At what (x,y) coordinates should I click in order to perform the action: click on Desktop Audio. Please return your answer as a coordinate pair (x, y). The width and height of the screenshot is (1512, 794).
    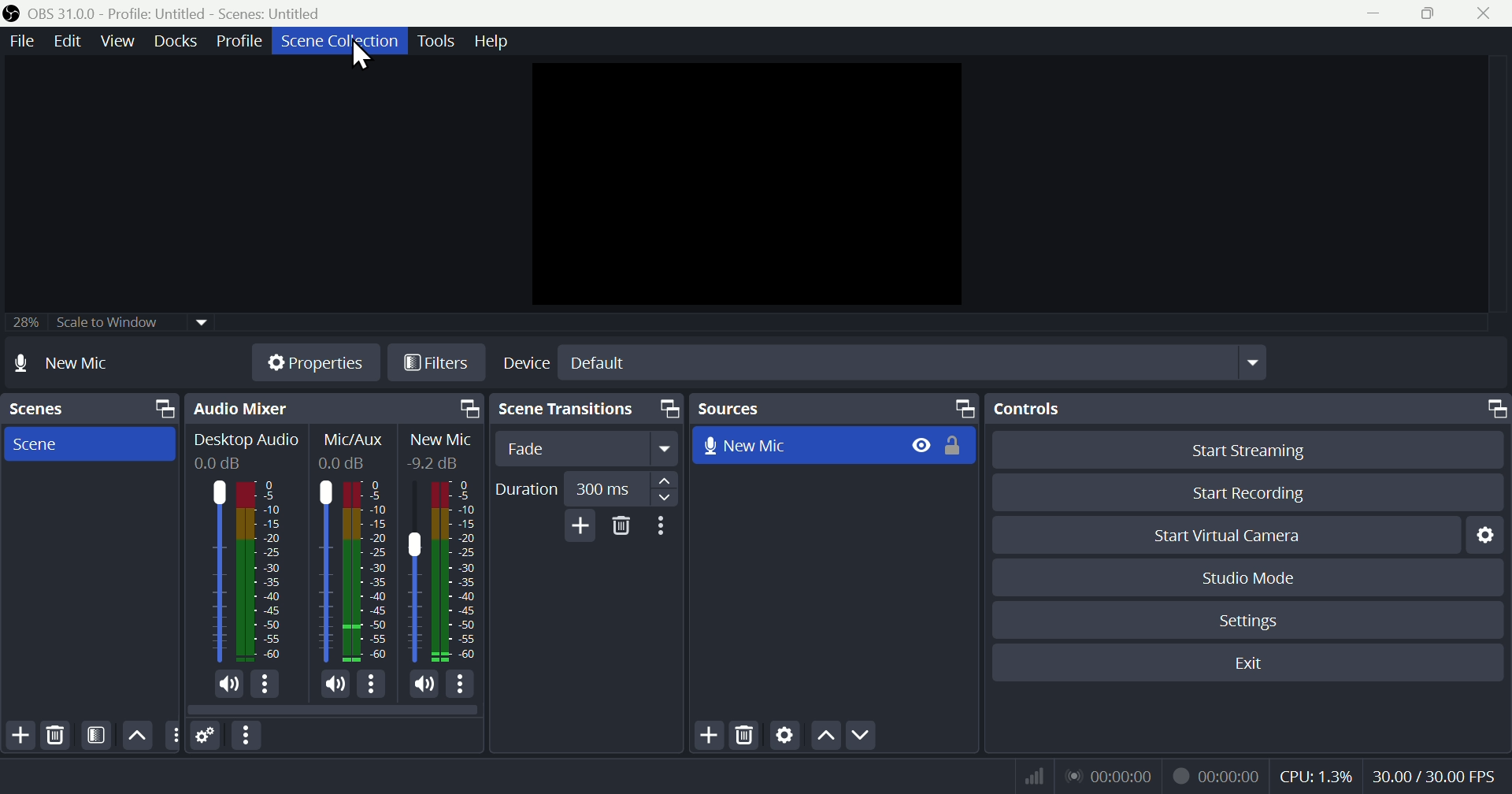
    Looking at the image, I should click on (217, 570).